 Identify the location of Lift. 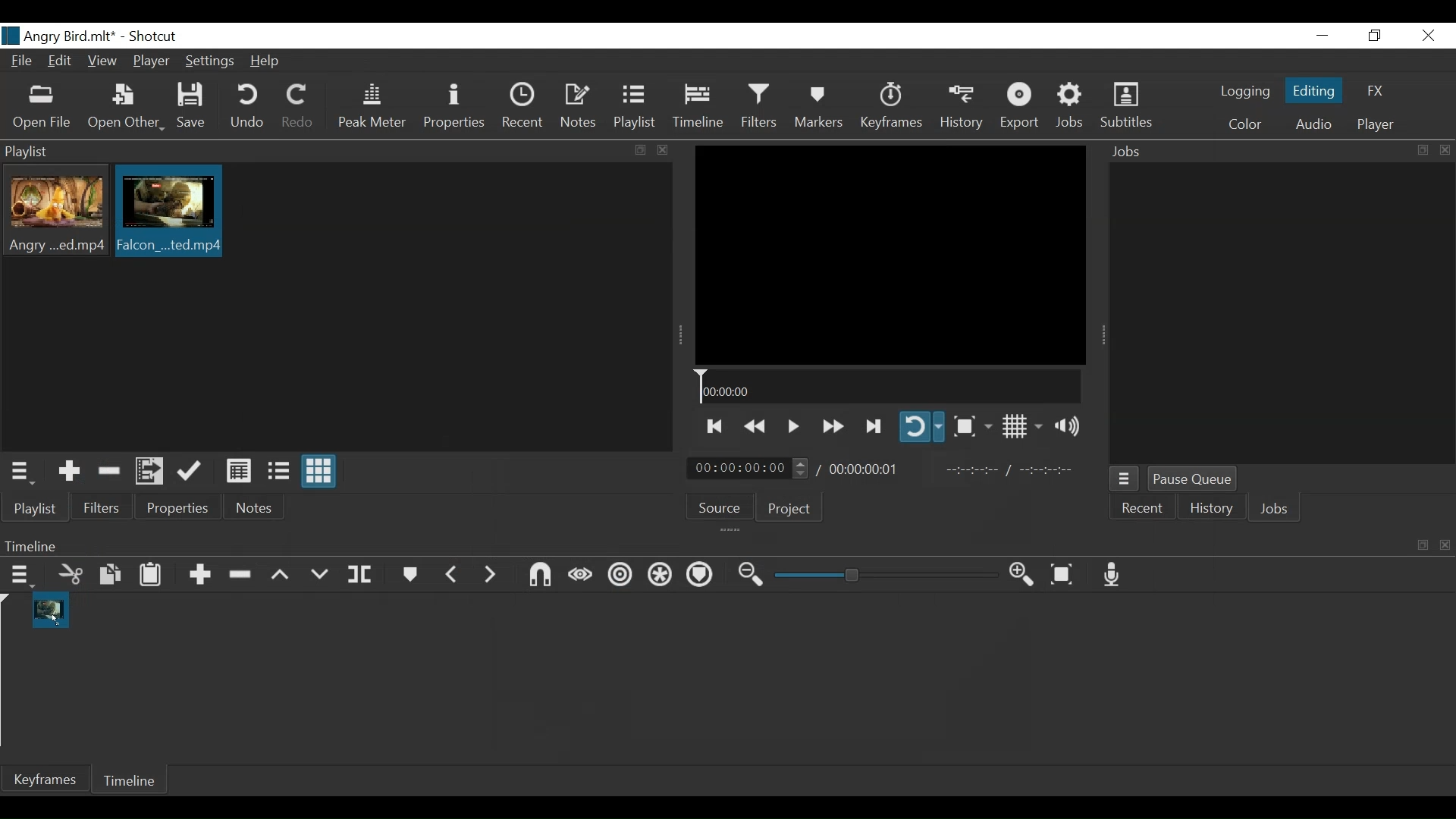
(283, 576).